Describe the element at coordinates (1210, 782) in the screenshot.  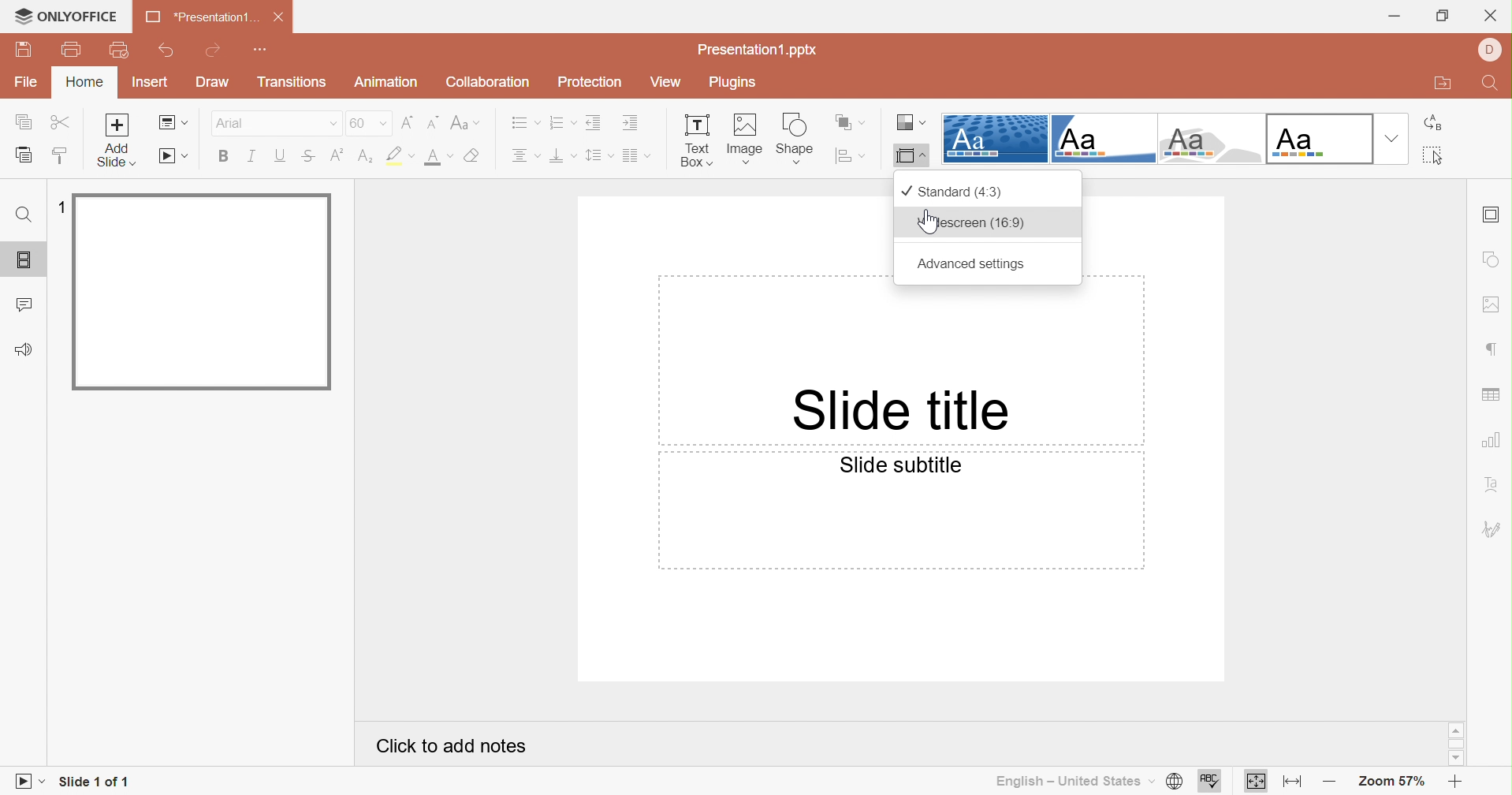
I see `Spell checking` at that location.